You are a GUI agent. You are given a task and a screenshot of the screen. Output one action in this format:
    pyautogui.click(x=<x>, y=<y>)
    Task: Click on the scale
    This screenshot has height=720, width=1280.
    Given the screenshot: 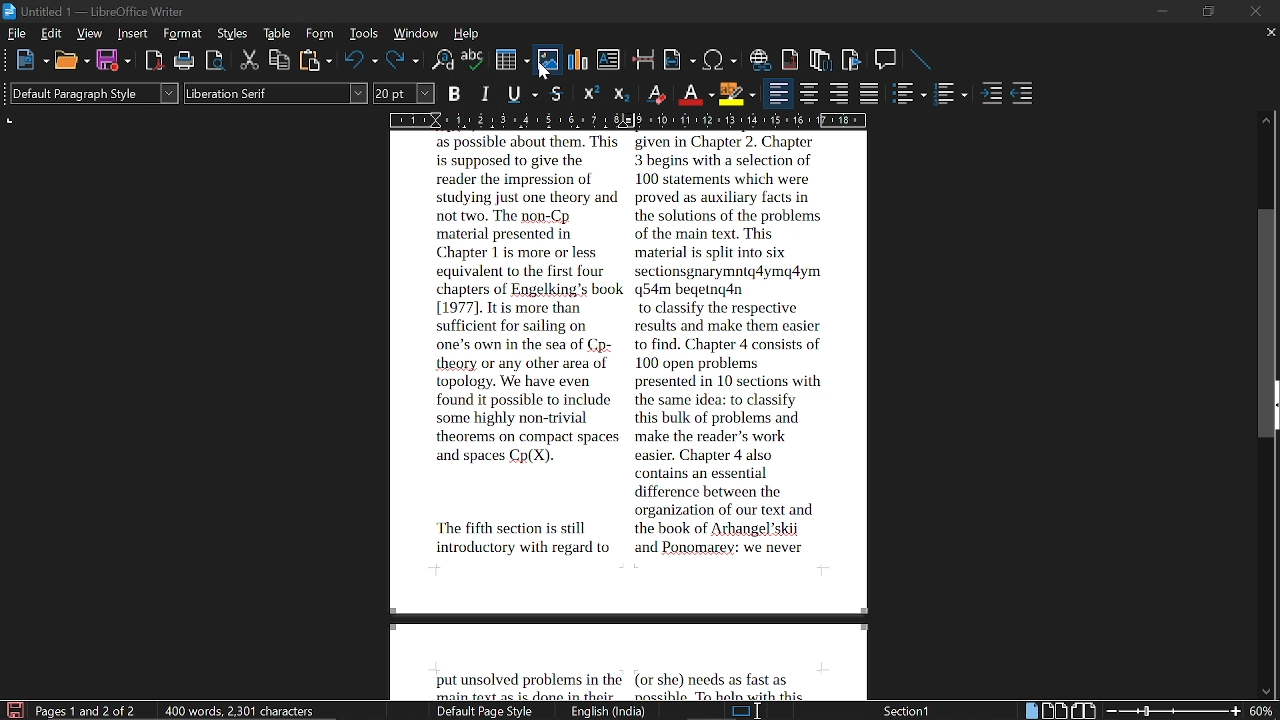 What is the action you would take?
    pyautogui.click(x=630, y=120)
    